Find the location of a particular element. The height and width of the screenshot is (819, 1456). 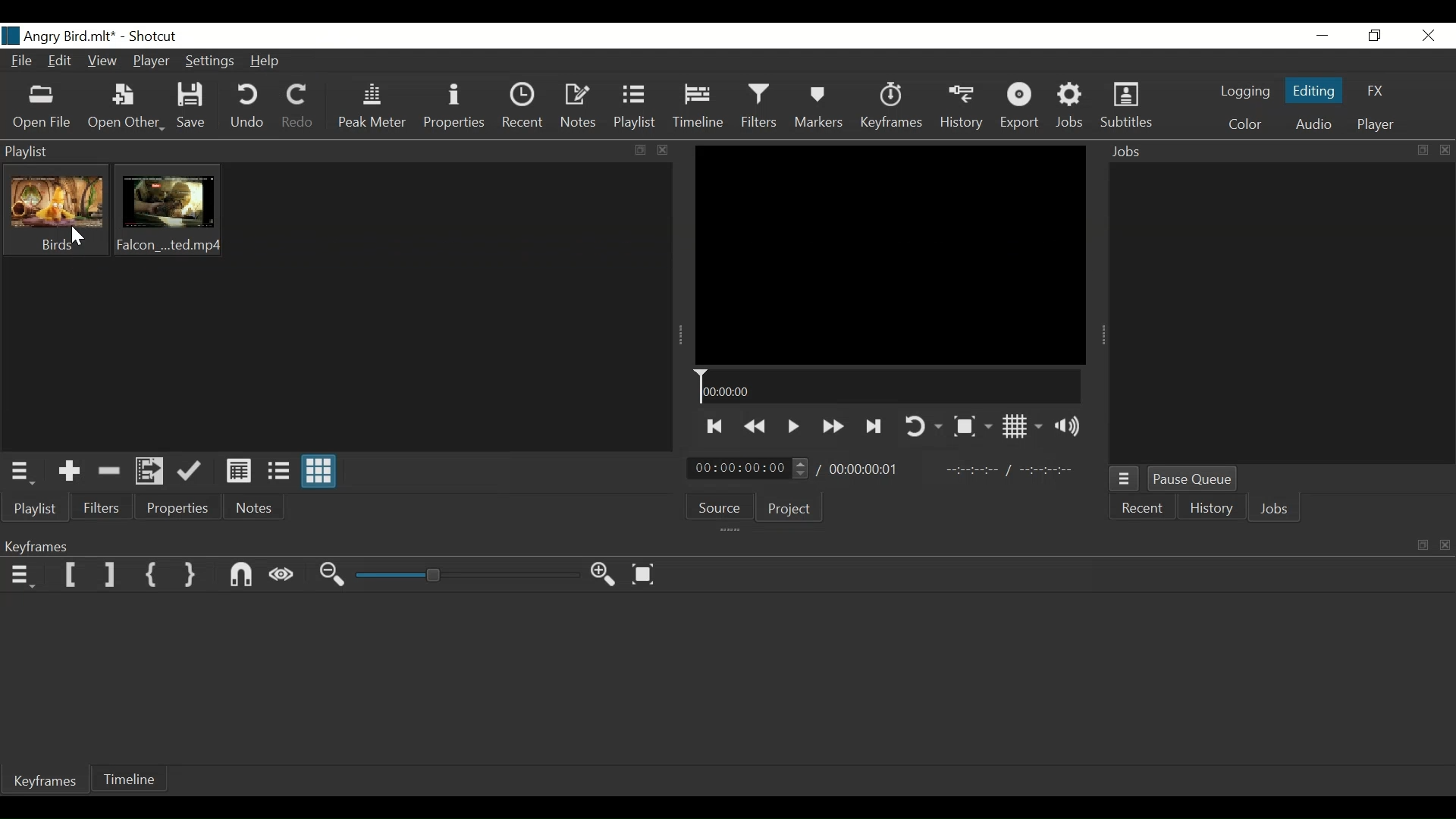

Show volume control is located at coordinates (1072, 428).